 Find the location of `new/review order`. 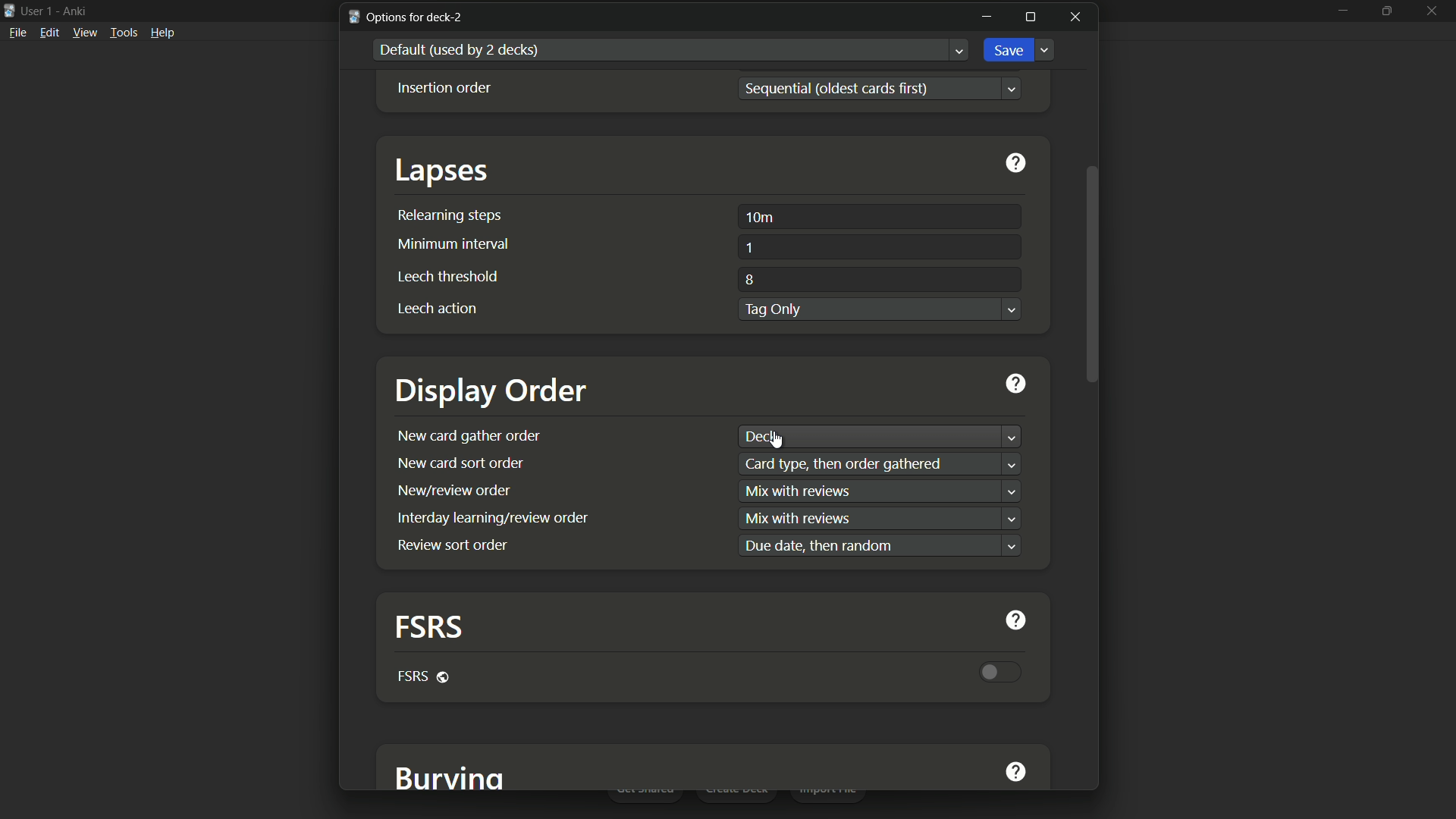

new/review order is located at coordinates (453, 489).